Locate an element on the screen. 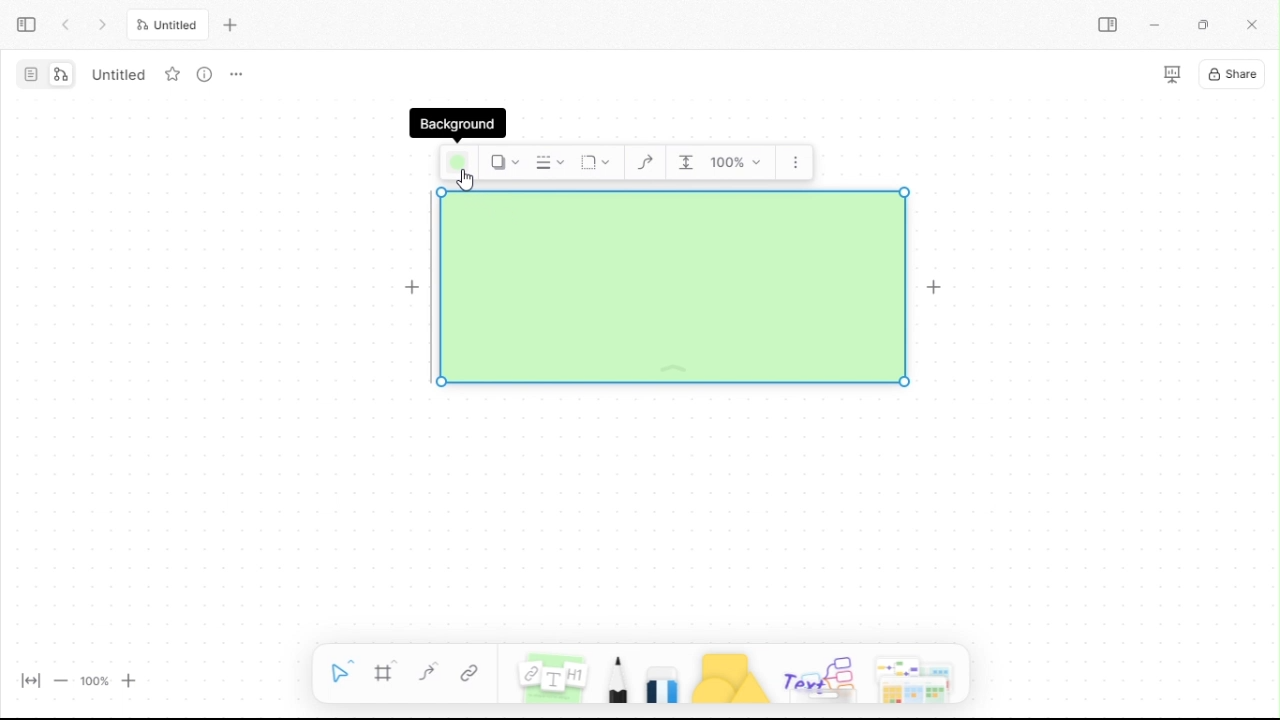  Text is located at coordinates (457, 124).